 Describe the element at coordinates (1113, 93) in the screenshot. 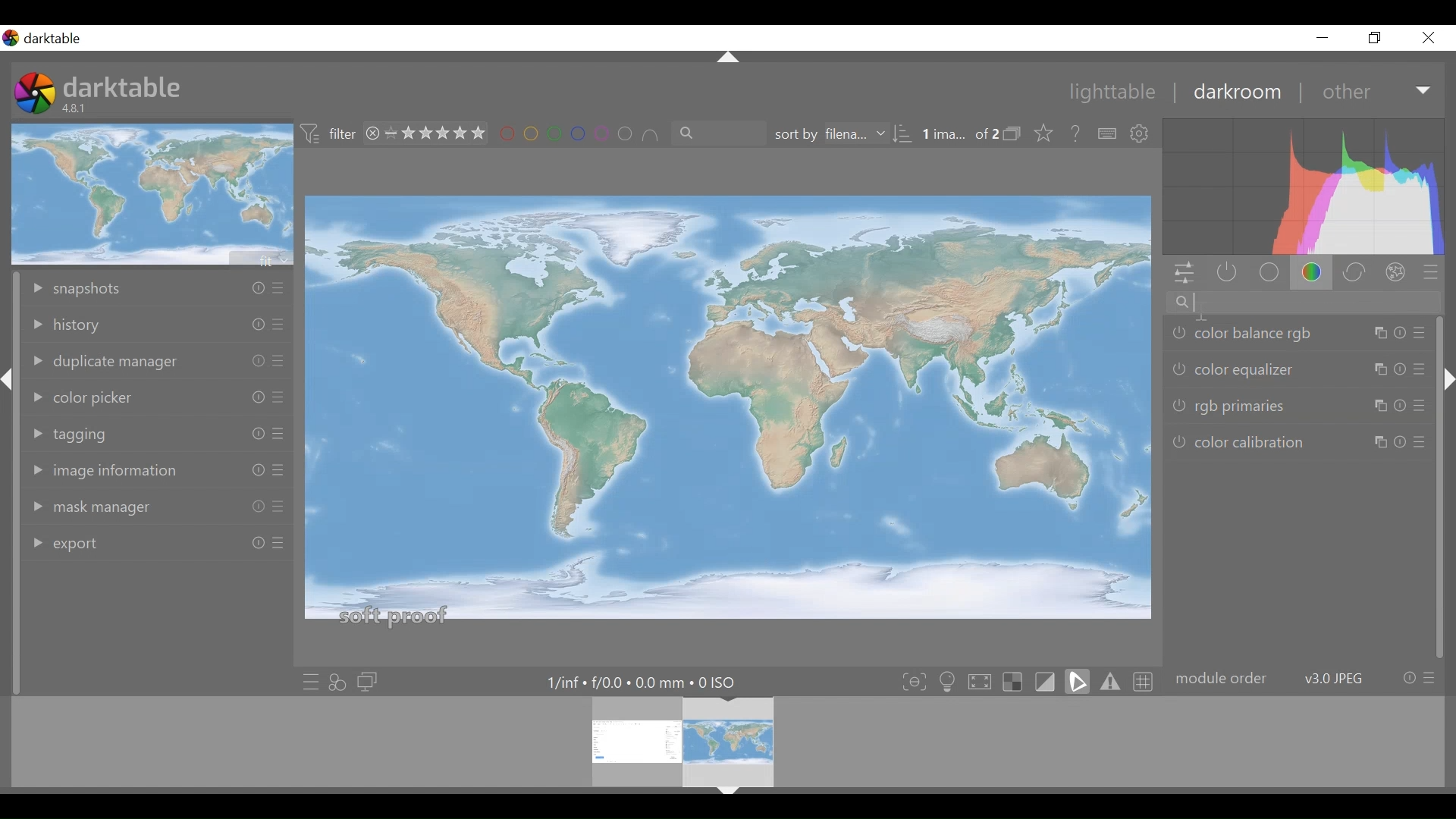

I see `lighttable` at that location.